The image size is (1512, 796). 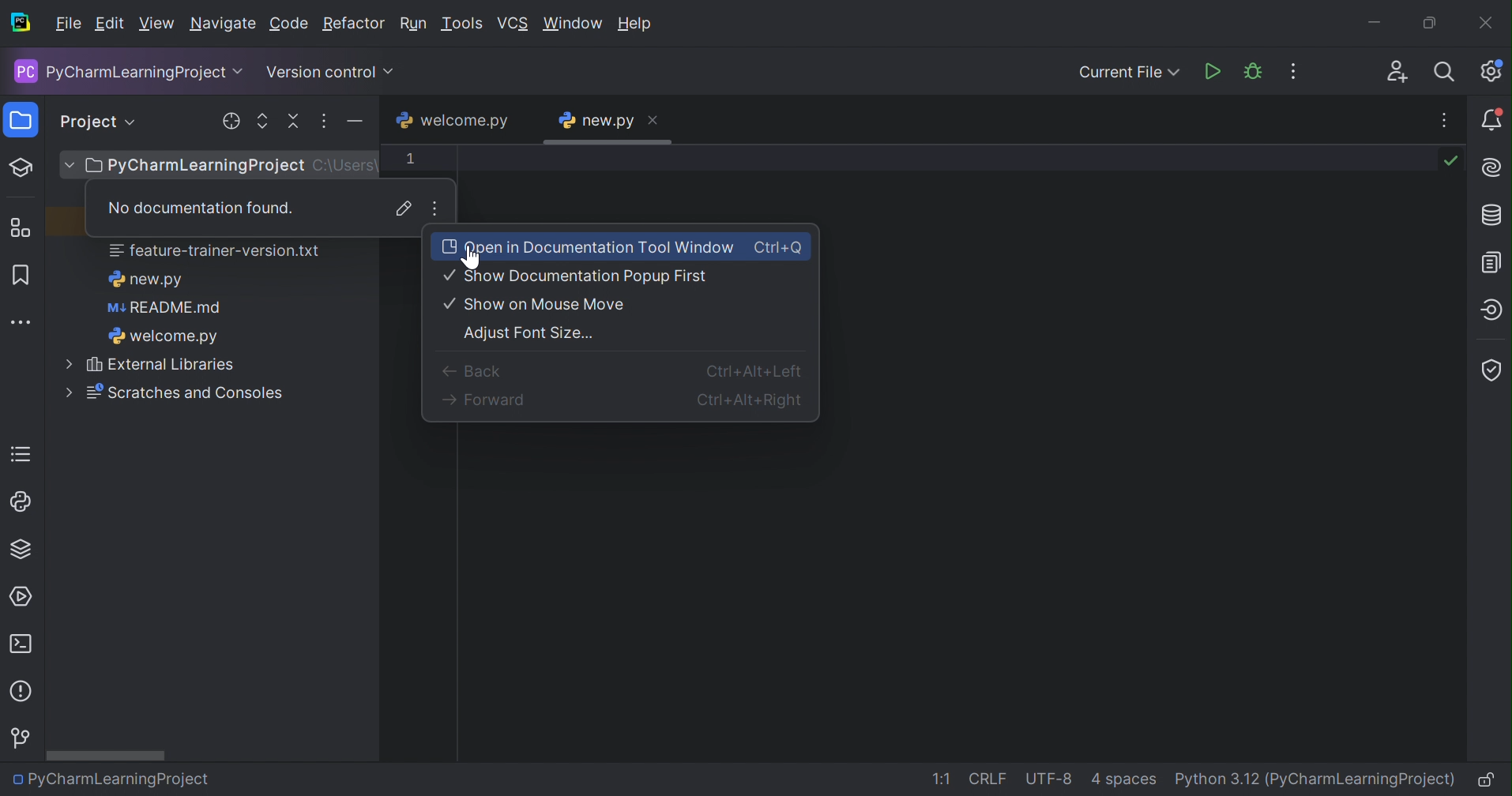 What do you see at coordinates (436, 208) in the screenshot?
I see `More` at bounding box center [436, 208].